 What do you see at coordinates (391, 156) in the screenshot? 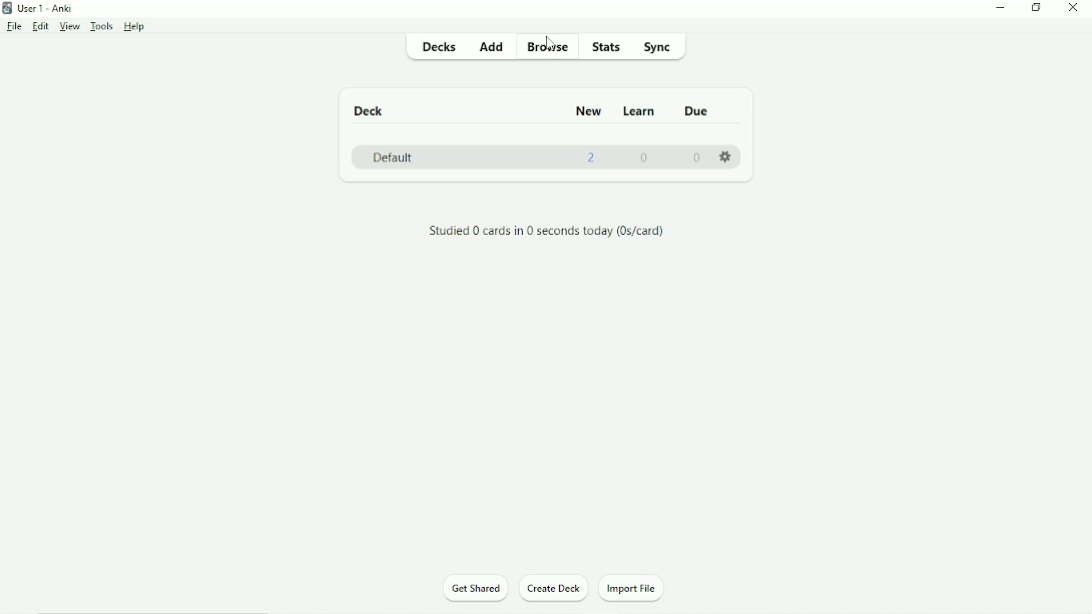
I see `Default` at bounding box center [391, 156].